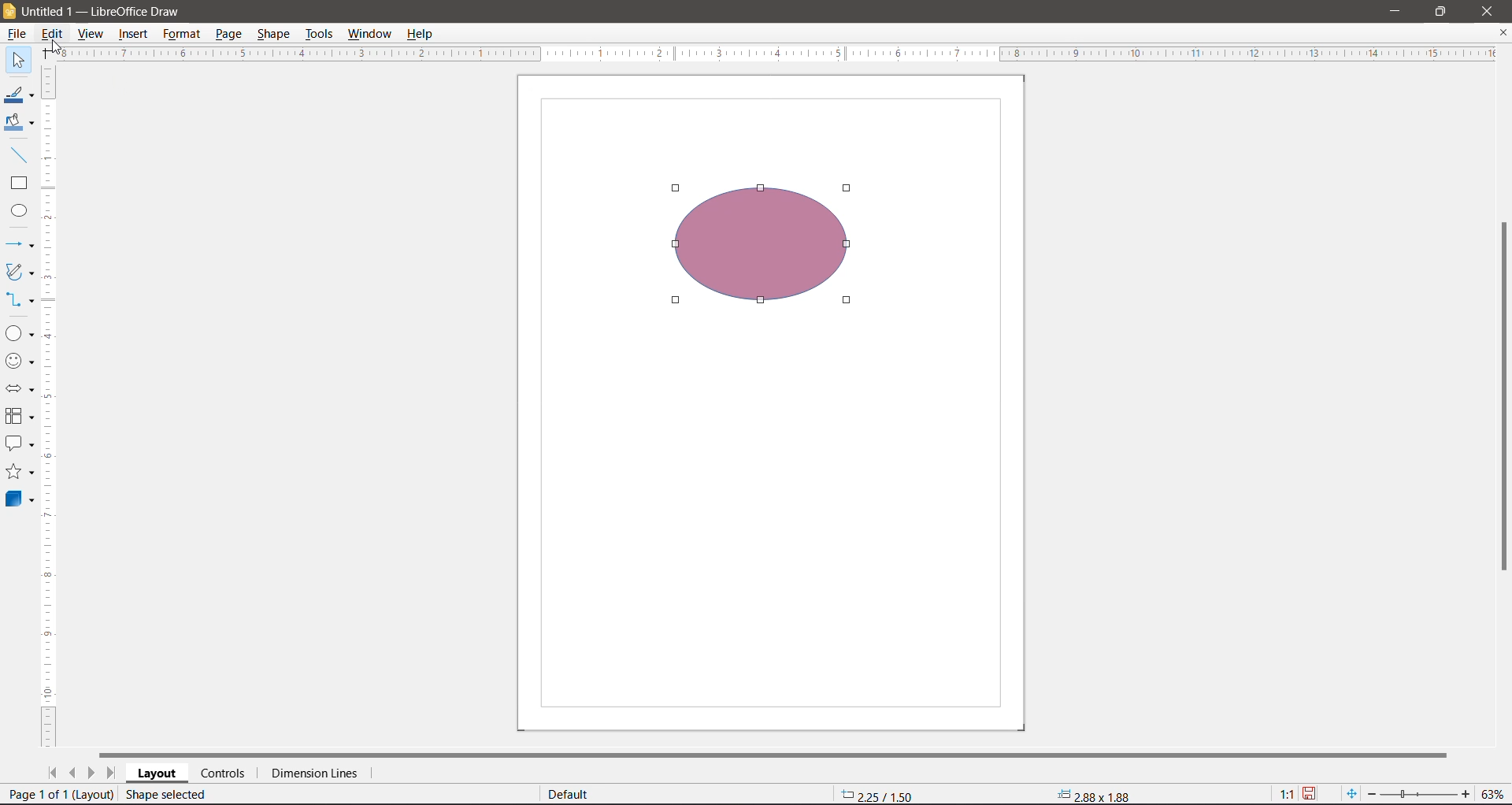  What do you see at coordinates (764, 248) in the screenshot?
I see `selected shape` at bounding box center [764, 248].